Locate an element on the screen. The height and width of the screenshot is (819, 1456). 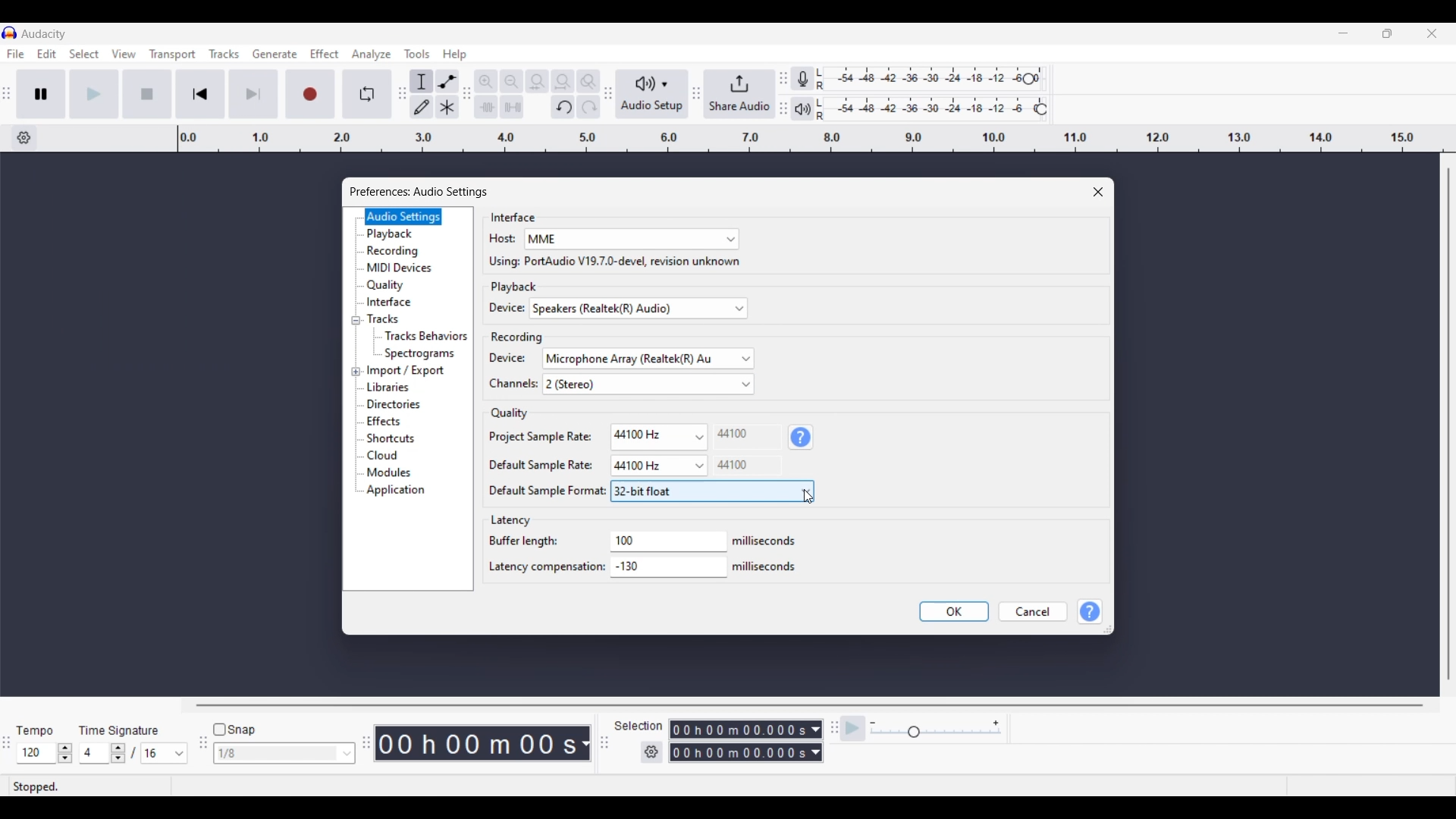
Increase/Decrease tempo is located at coordinates (65, 753).